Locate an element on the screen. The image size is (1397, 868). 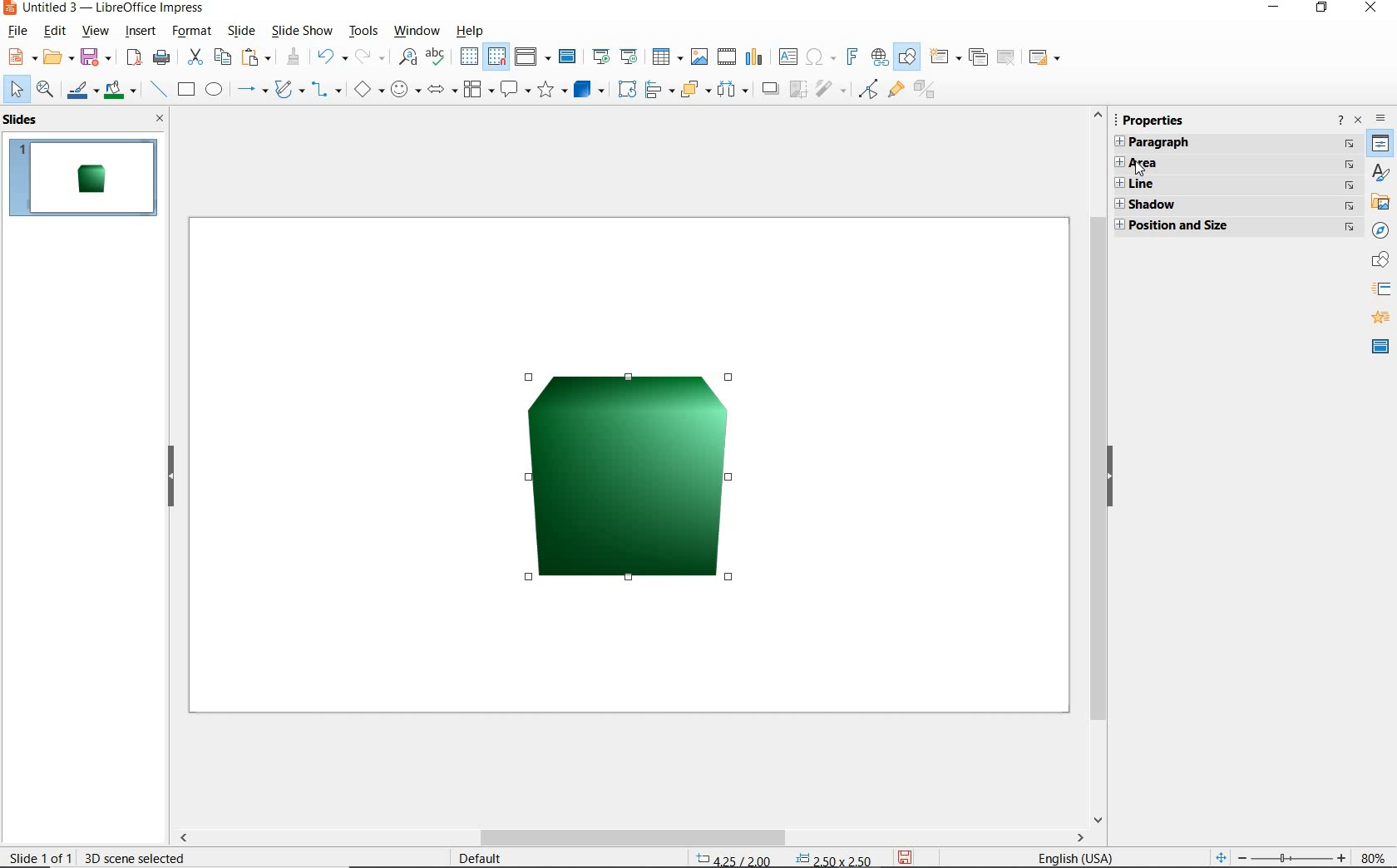
CLOSE is located at coordinates (1373, 9).